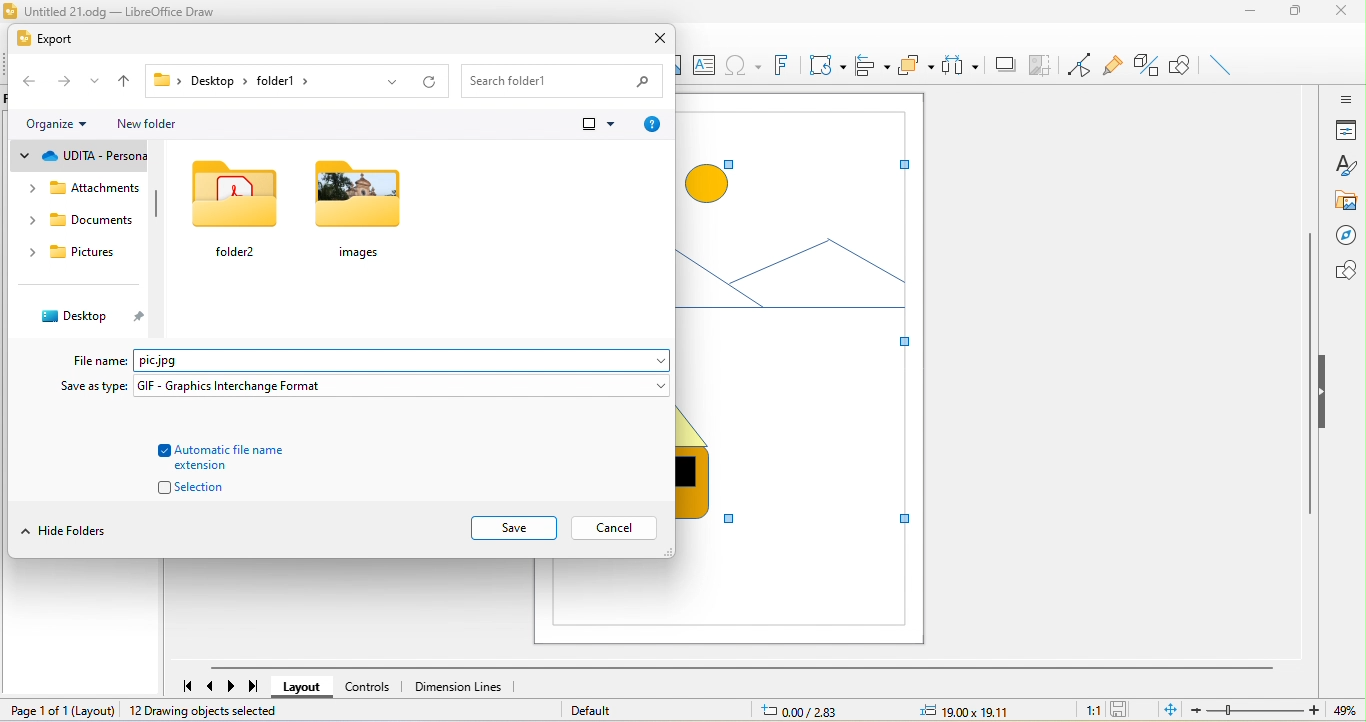 This screenshot has height=722, width=1366. Describe the element at coordinates (596, 123) in the screenshot. I see `change view` at that location.